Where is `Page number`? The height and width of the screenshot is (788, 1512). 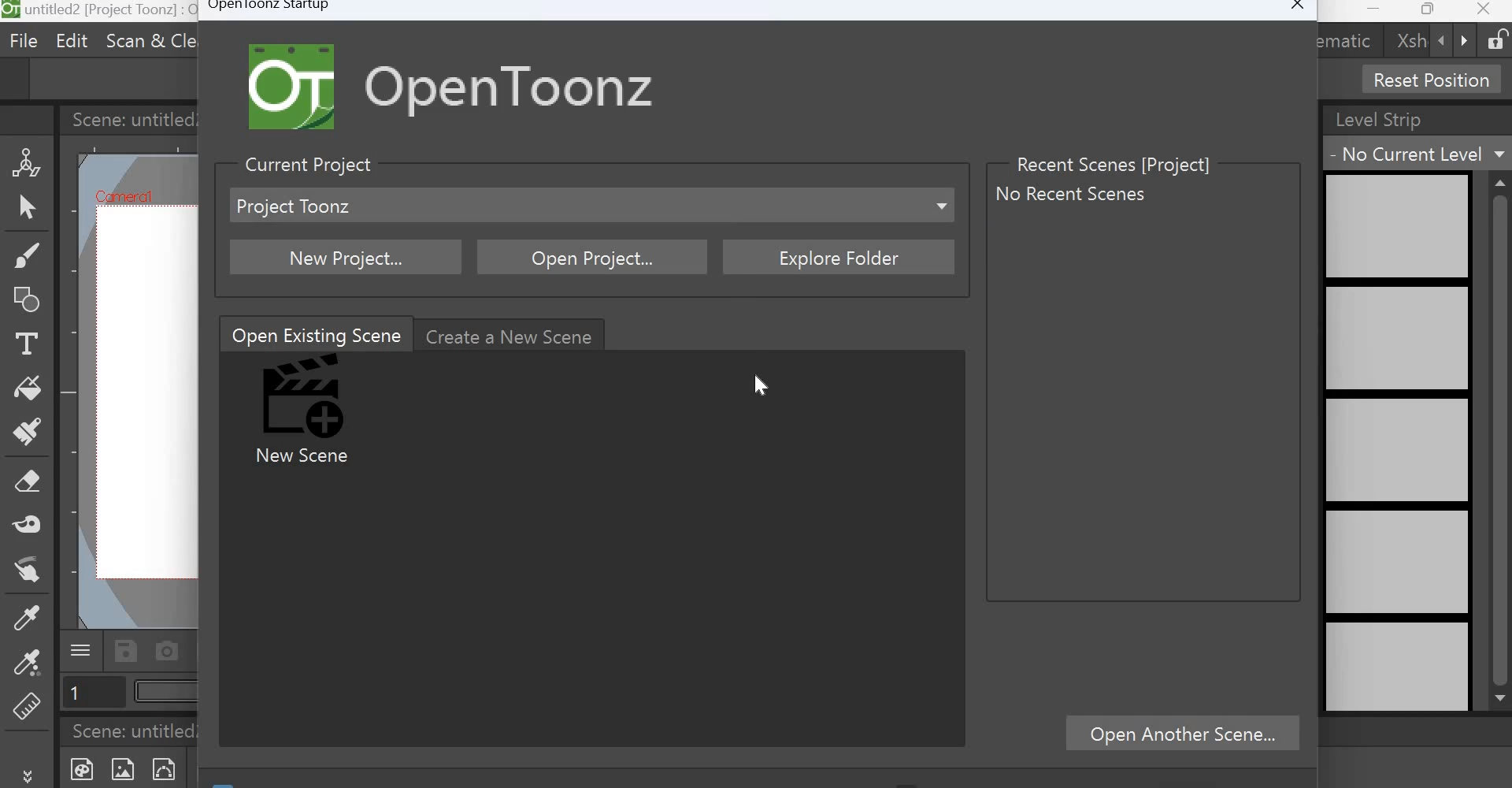 Page number is located at coordinates (93, 694).